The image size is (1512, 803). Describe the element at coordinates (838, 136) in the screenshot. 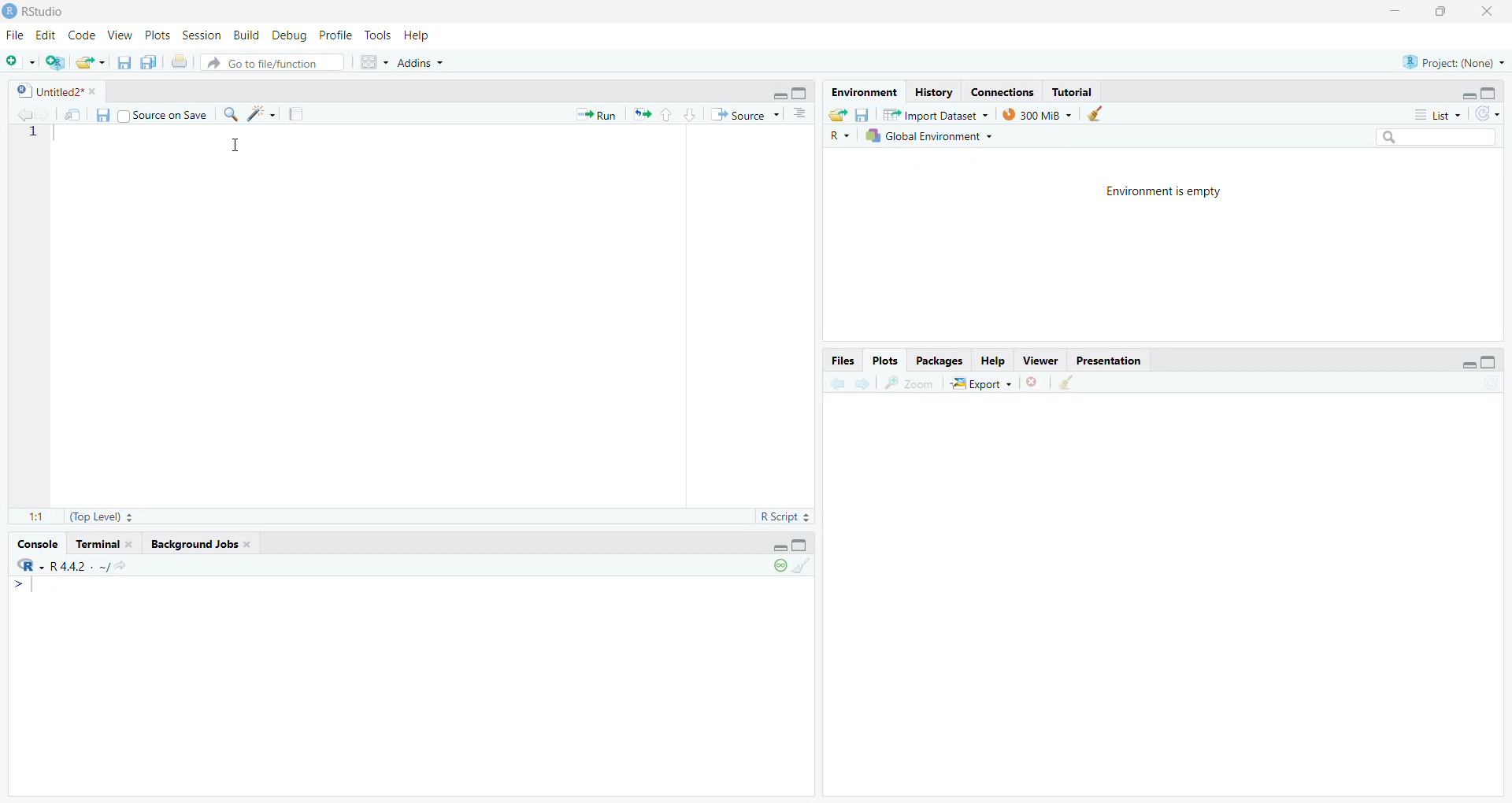

I see `R` at that location.